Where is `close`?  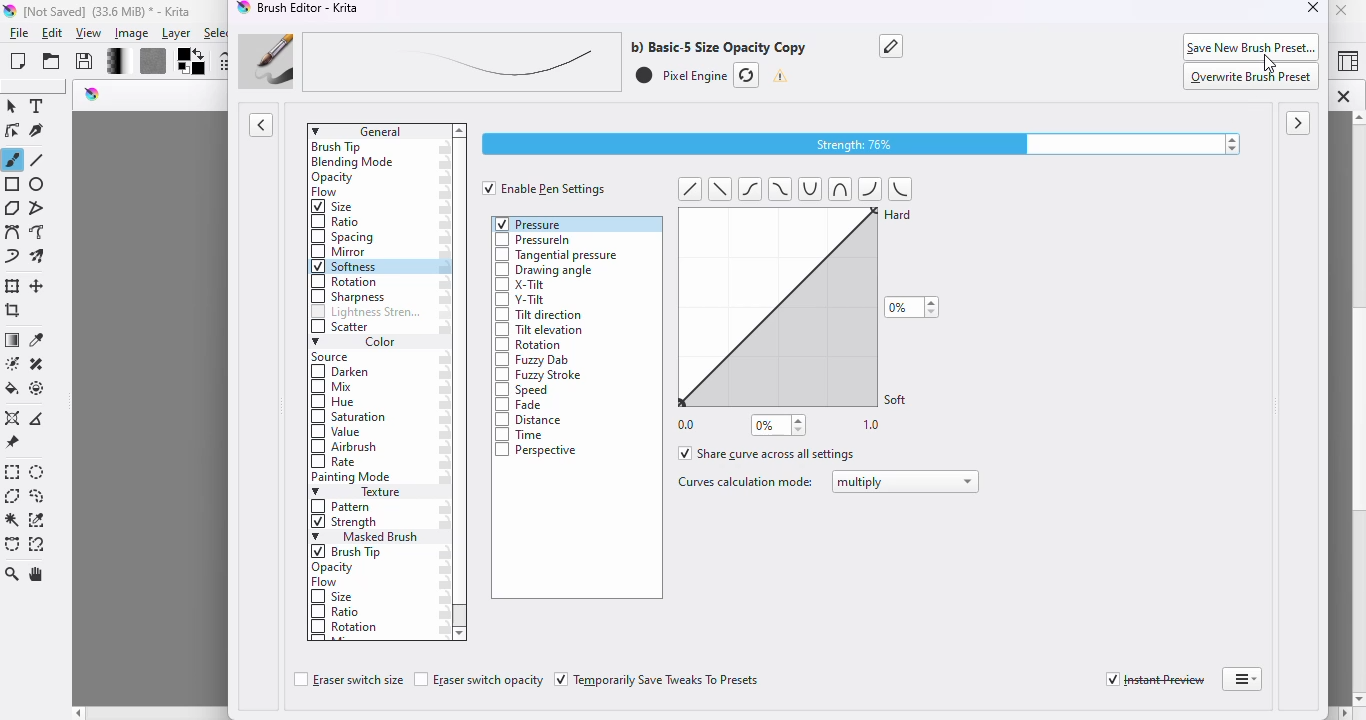
close is located at coordinates (1314, 9).